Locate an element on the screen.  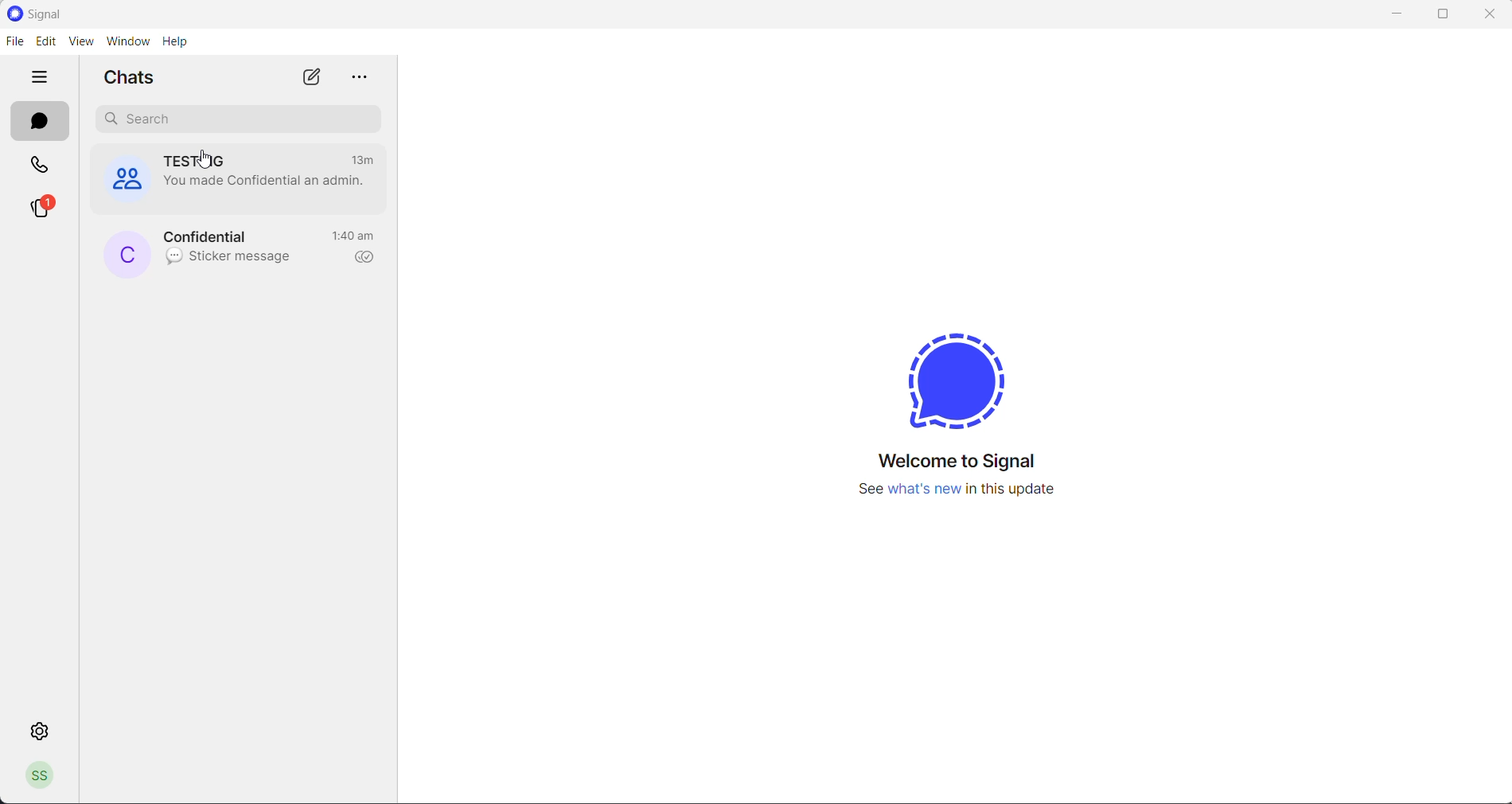
group name is located at coordinates (207, 161).